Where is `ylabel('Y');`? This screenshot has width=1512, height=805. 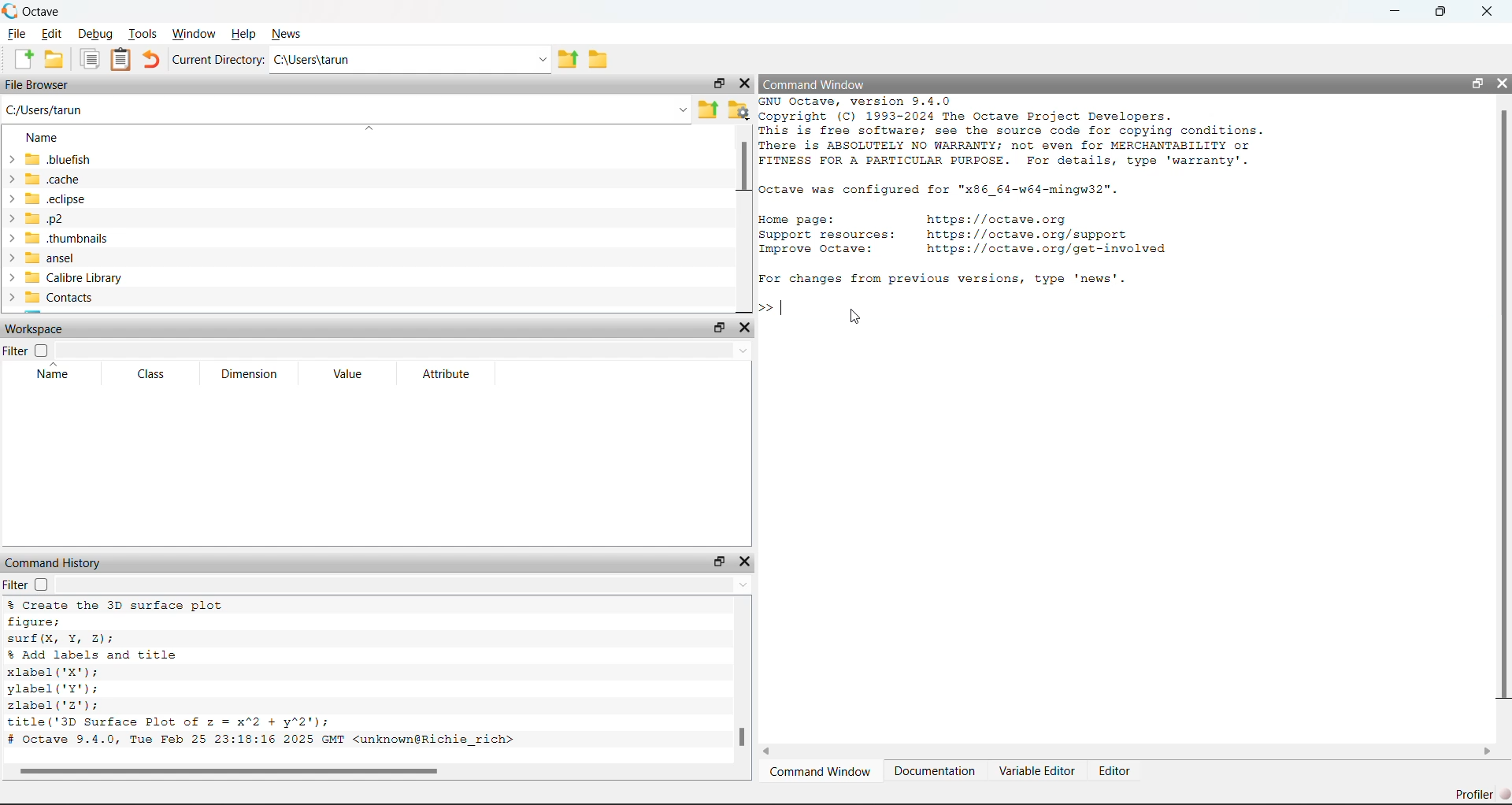 ylabel('Y'); is located at coordinates (56, 689).